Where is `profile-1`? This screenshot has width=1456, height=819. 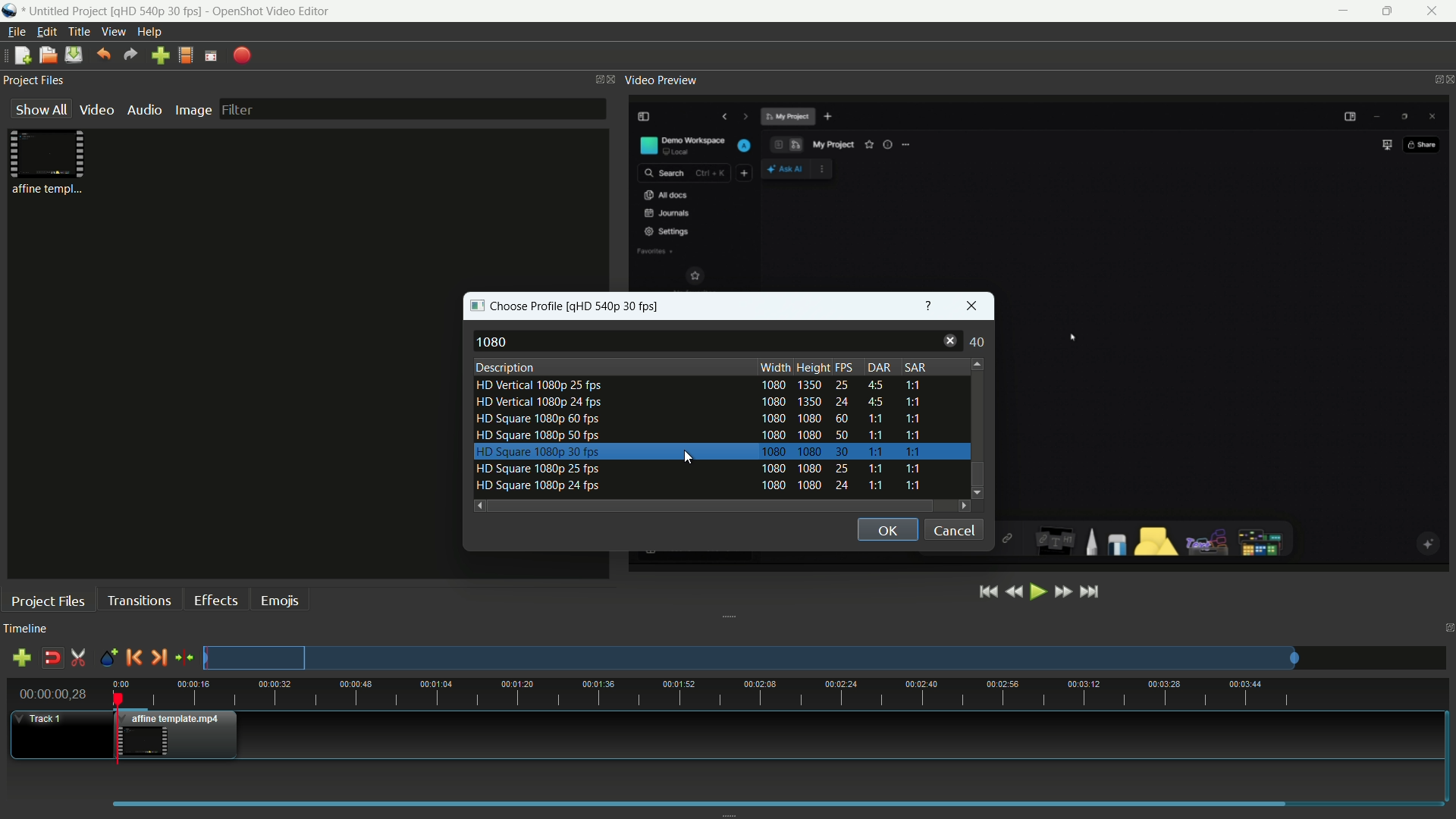 profile-1 is located at coordinates (700, 386).